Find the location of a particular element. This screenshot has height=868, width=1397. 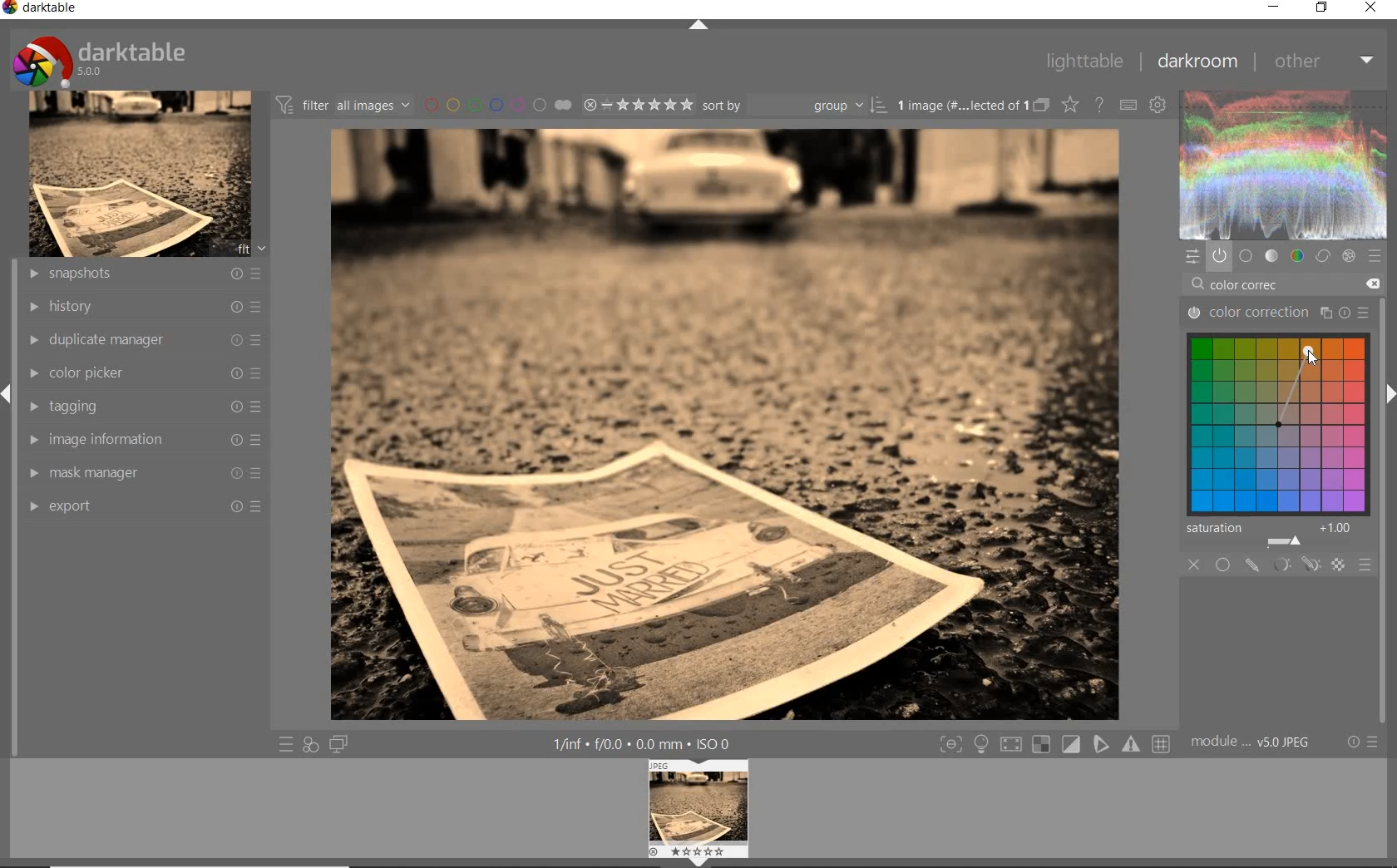

saturation is located at coordinates (1274, 535).